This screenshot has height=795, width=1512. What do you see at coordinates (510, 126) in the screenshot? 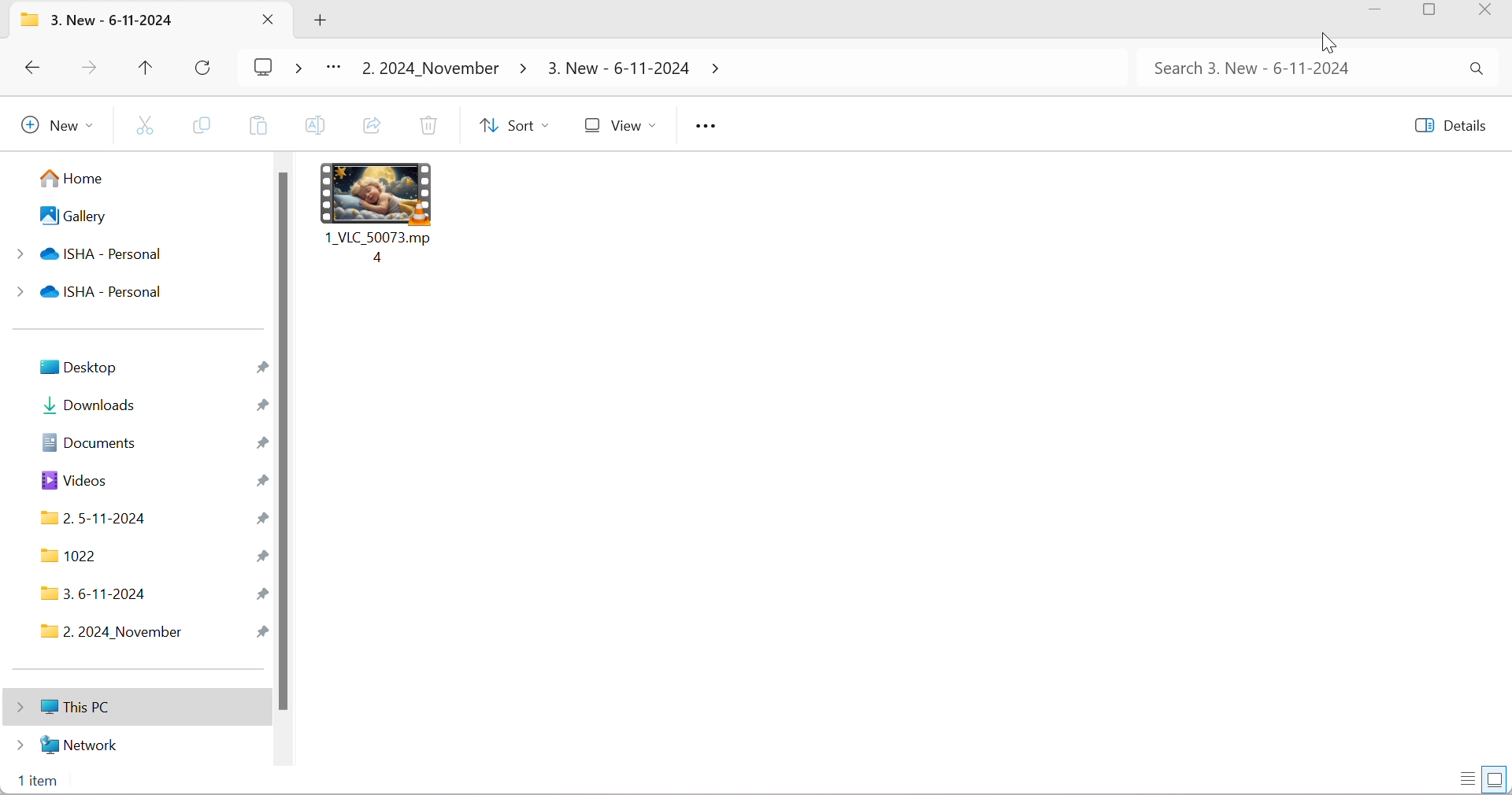
I see `Sort` at bounding box center [510, 126].